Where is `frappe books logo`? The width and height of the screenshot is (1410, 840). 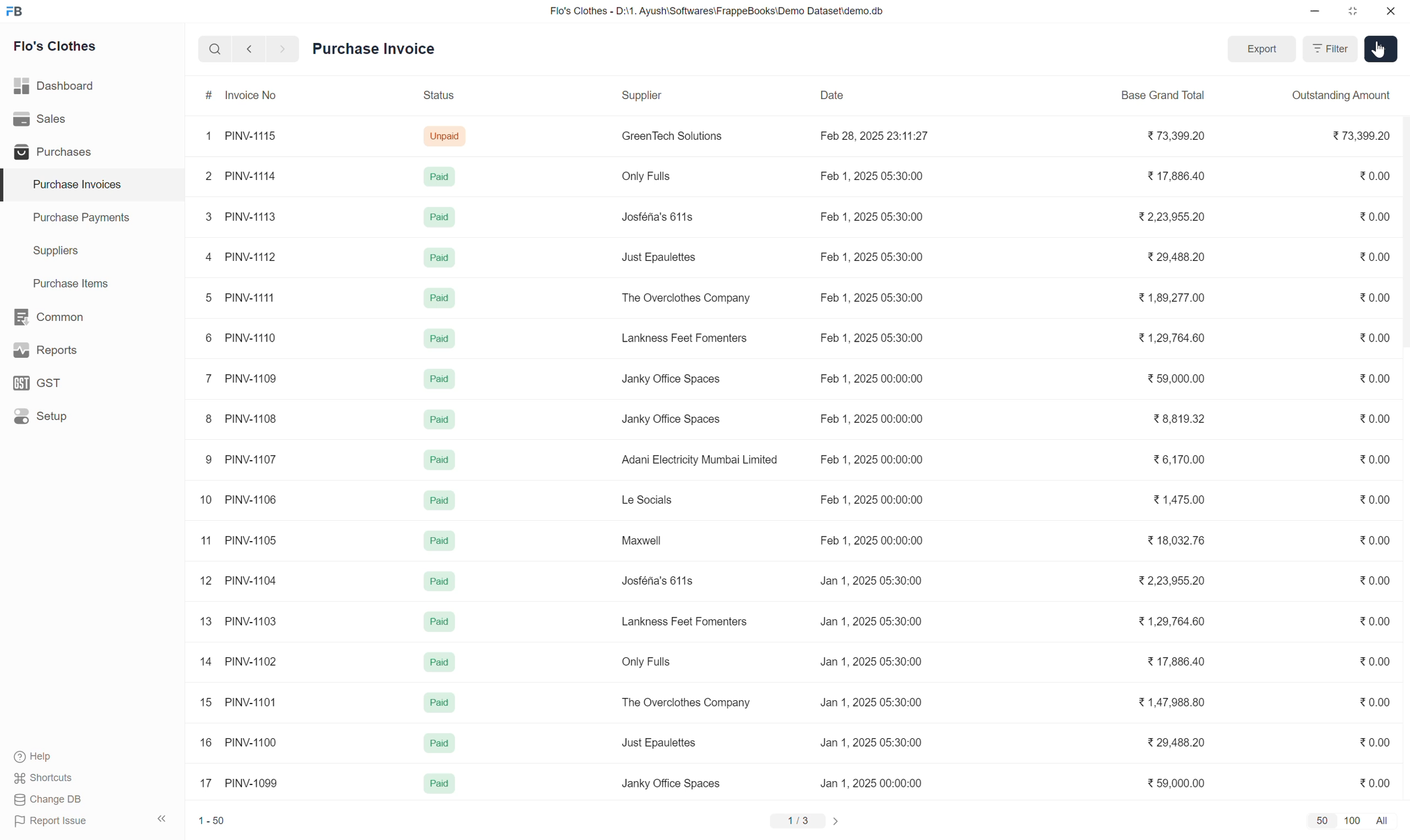 frappe books logo is located at coordinates (17, 11).